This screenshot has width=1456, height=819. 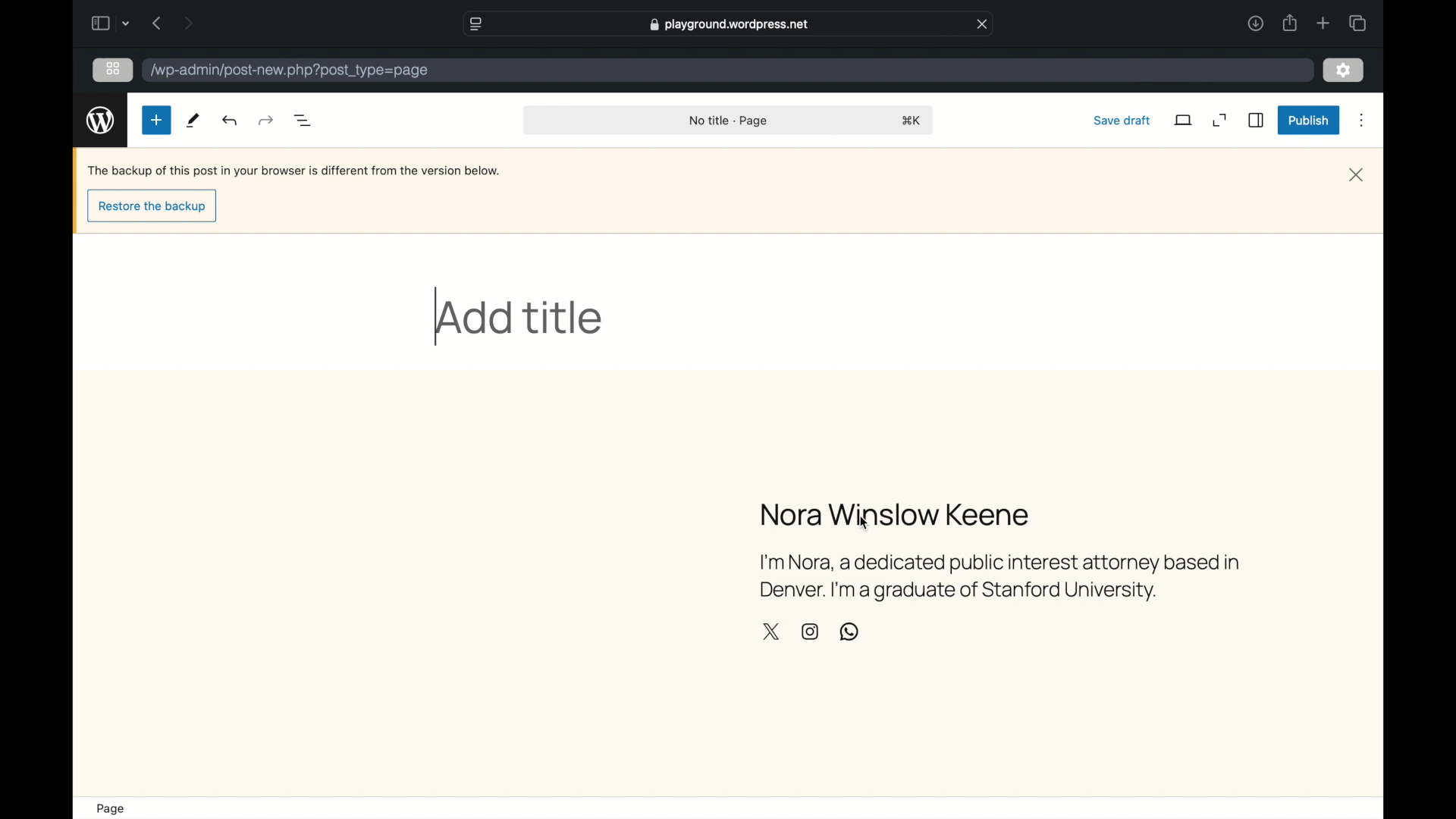 What do you see at coordinates (1185, 120) in the screenshot?
I see `view` at bounding box center [1185, 120].